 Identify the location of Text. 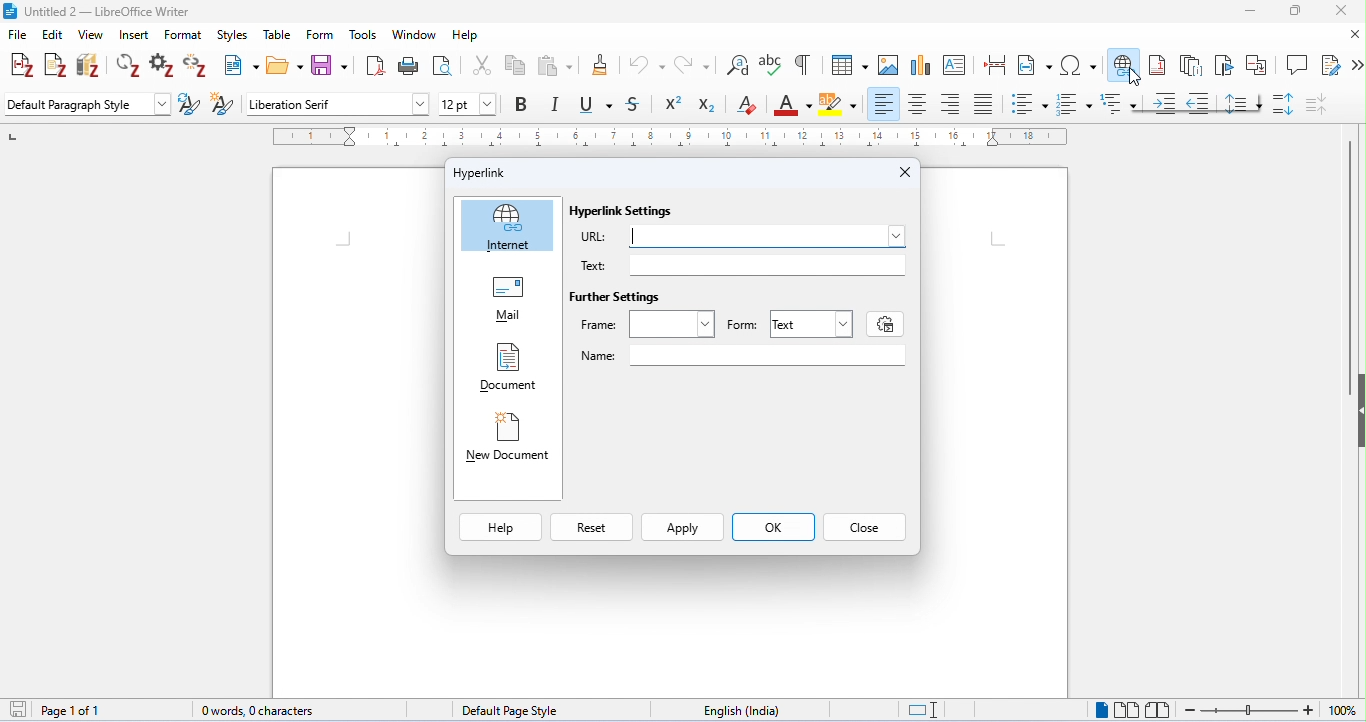
(796, 322).